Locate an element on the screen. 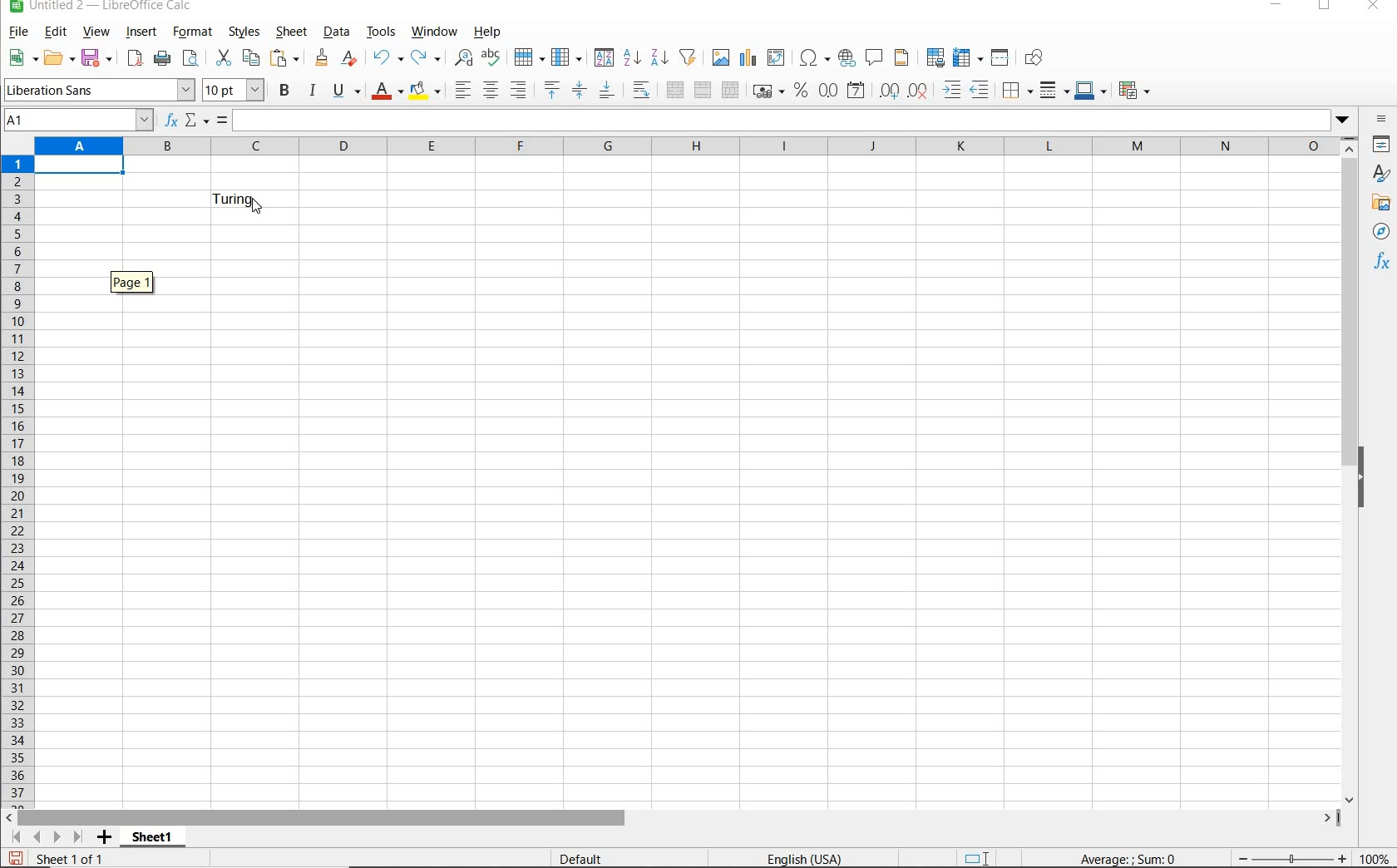 This screenshot has height=868, width=1397. STANDARD SELECTION is located at coordinates (980, 857).